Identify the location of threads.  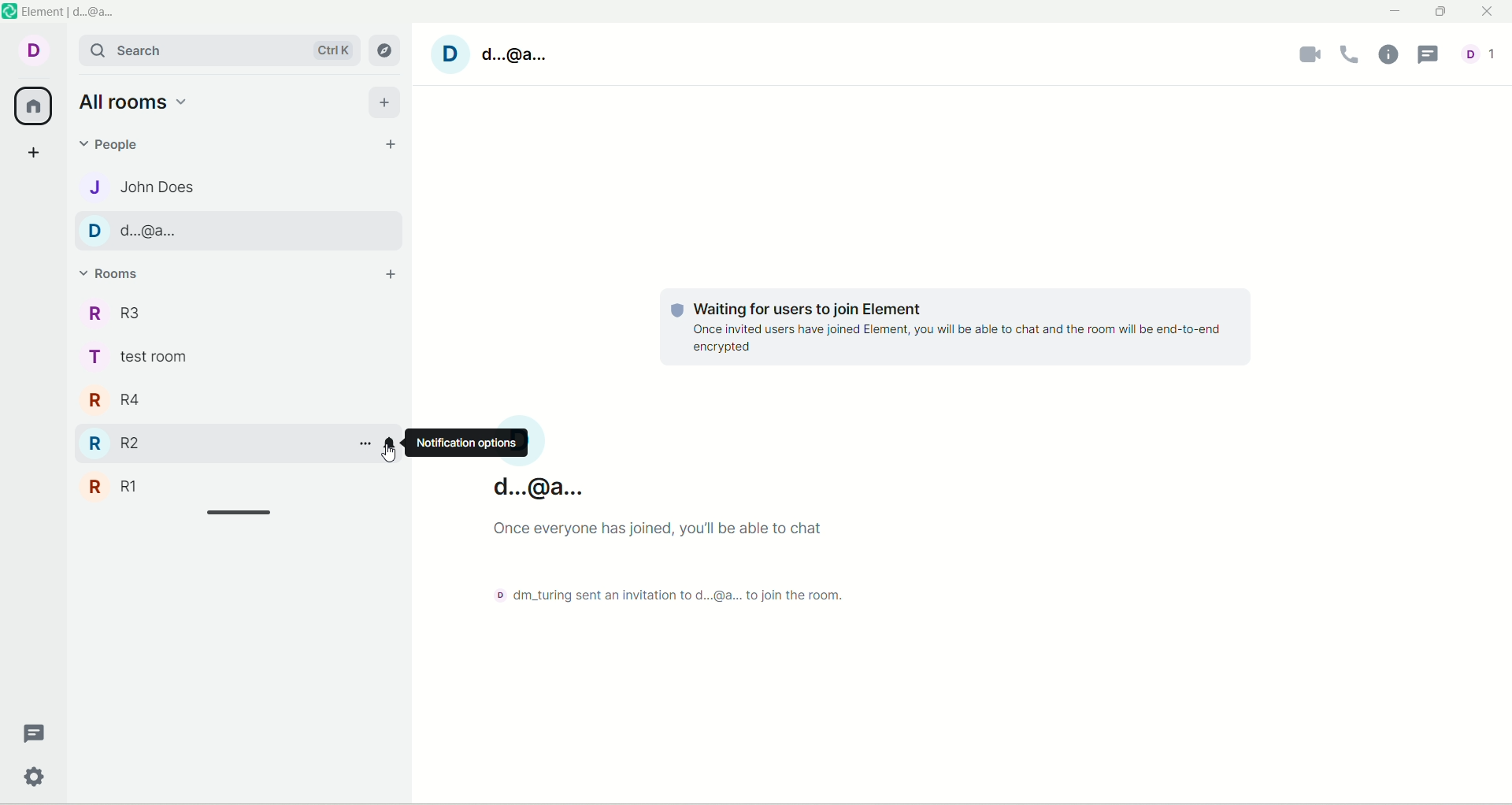
(1428, 54).